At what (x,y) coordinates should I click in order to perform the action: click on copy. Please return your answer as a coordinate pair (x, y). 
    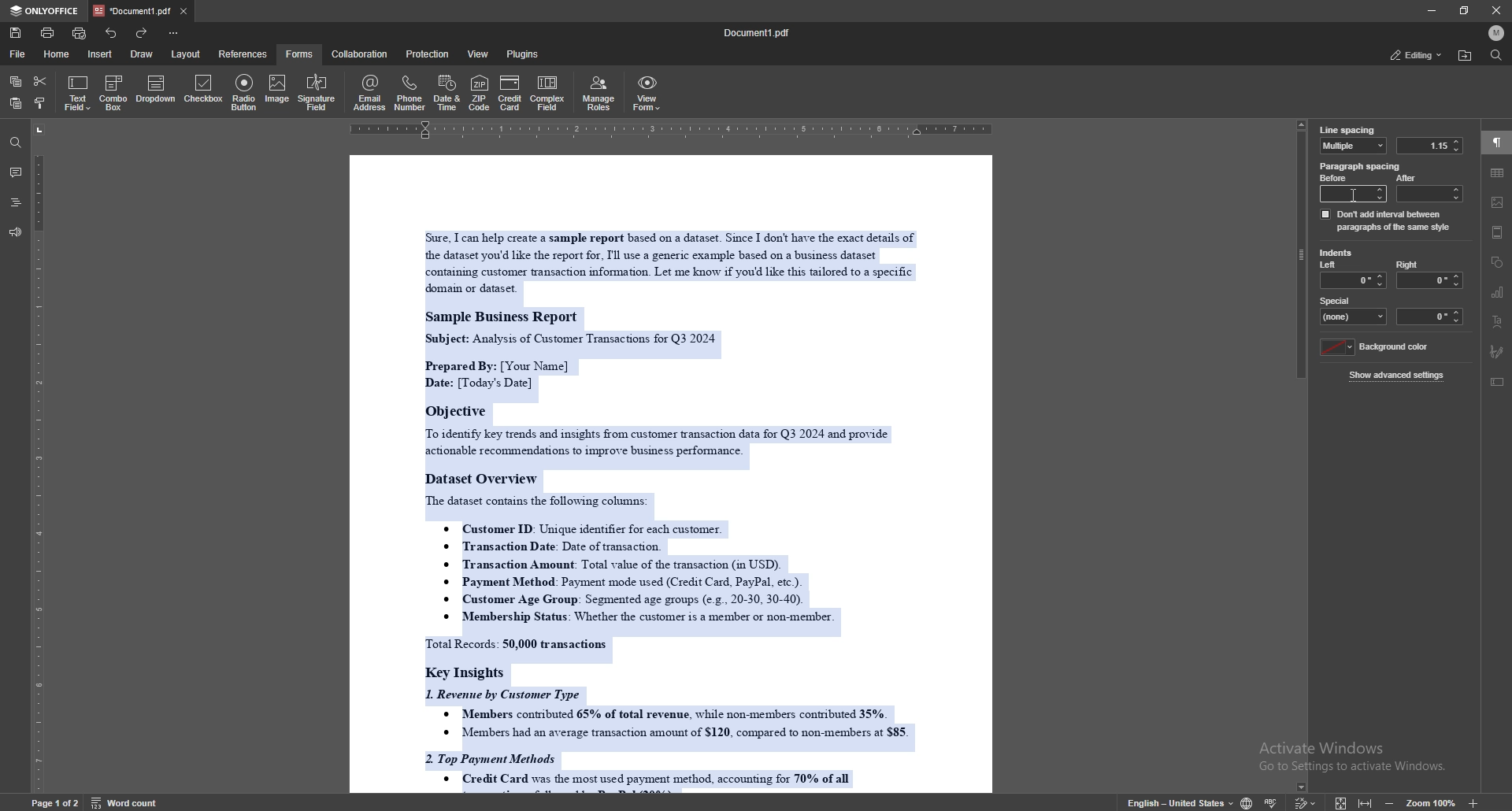
    Looking at the image, I should click on (16, 82).